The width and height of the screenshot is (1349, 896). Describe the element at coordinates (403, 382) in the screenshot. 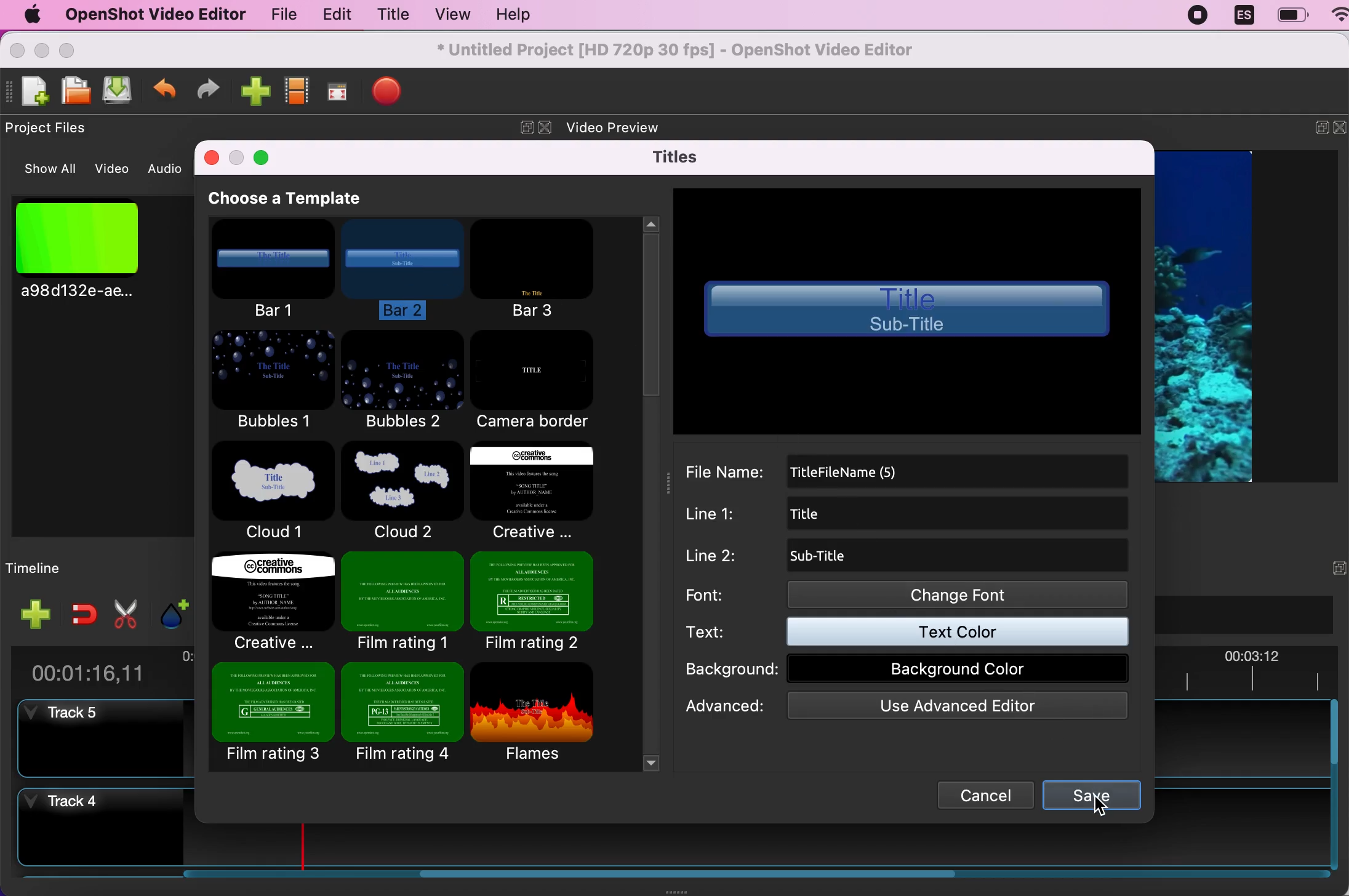

I see `bubbles 2` at that location.